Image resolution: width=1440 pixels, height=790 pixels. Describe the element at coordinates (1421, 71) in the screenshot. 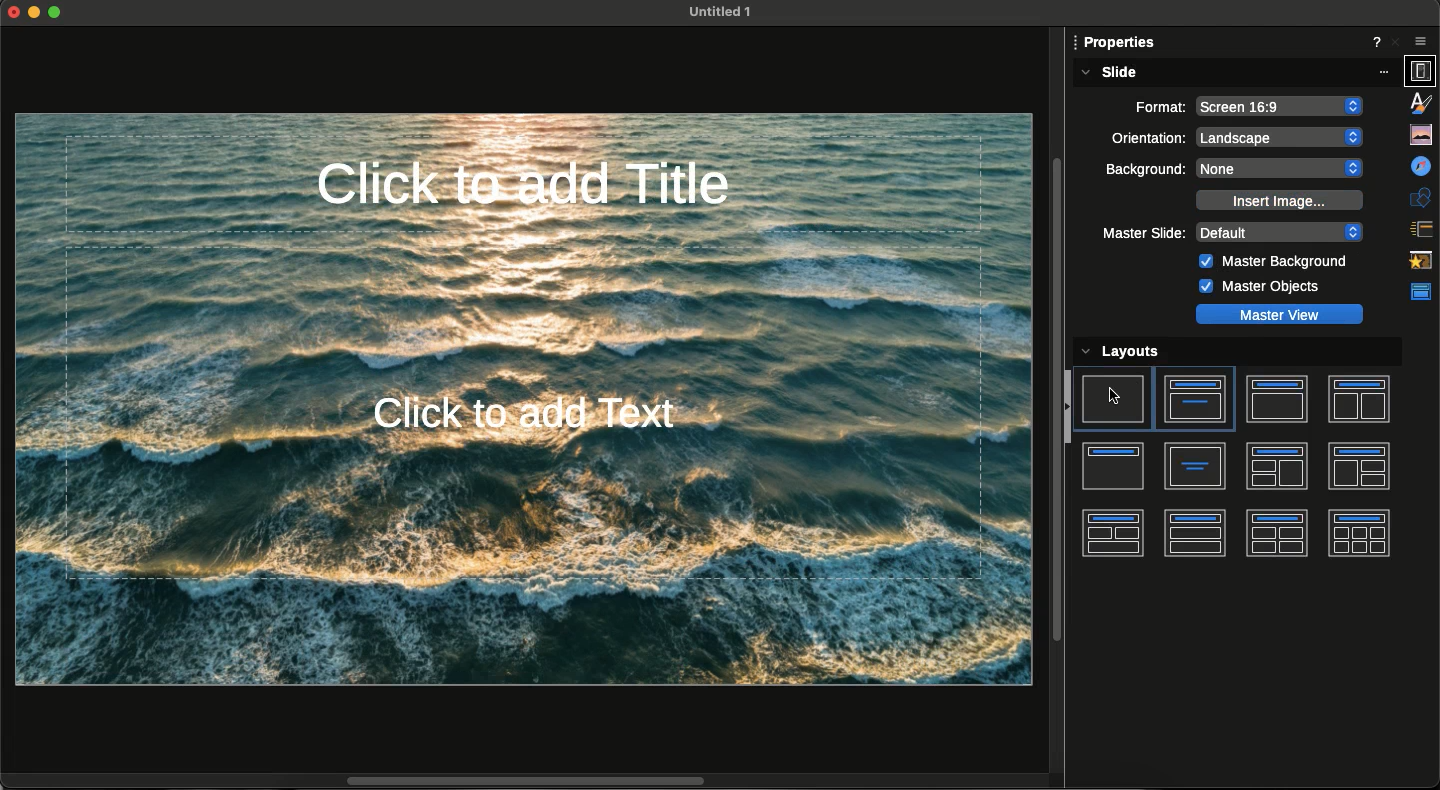

I see `Properties` at that location.